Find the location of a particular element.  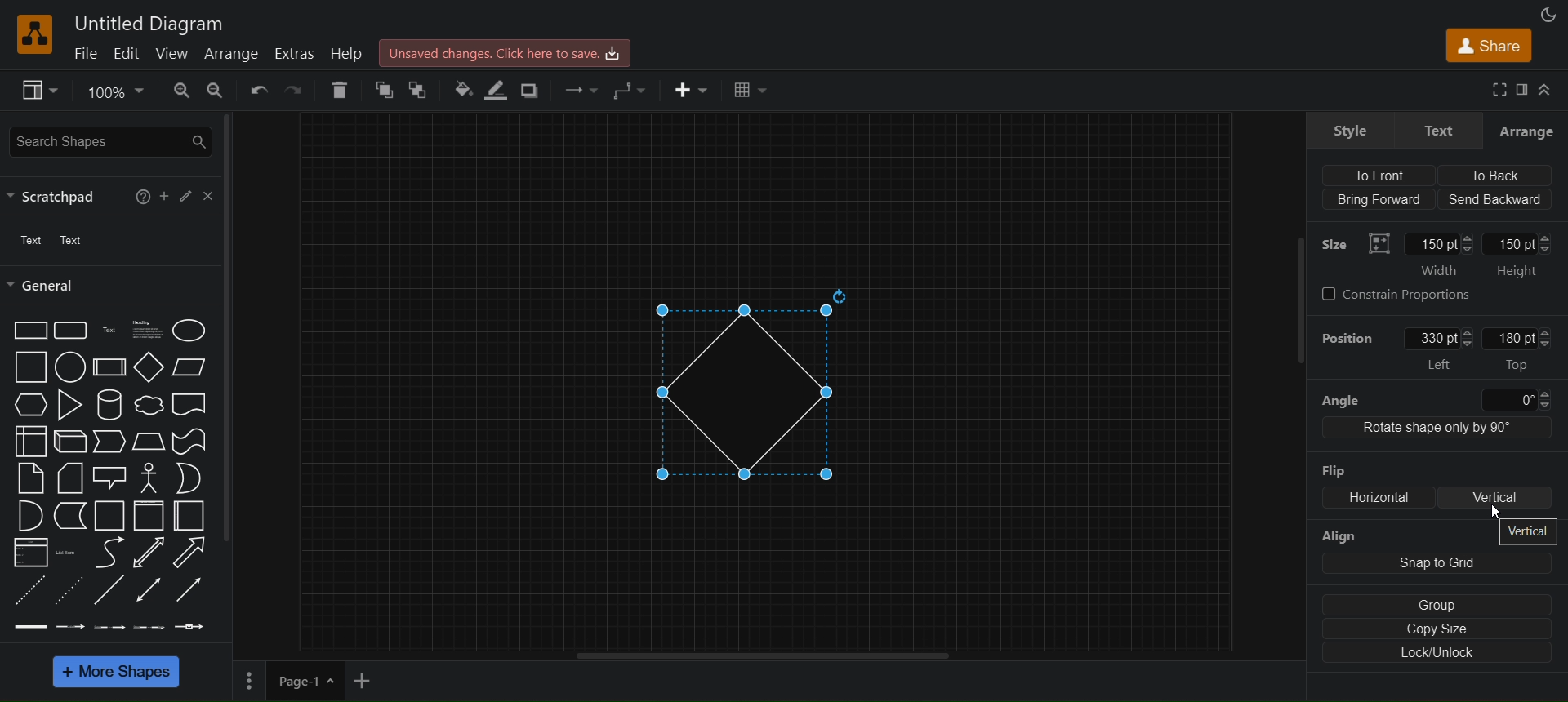

table is located at coordinates (752, 89).